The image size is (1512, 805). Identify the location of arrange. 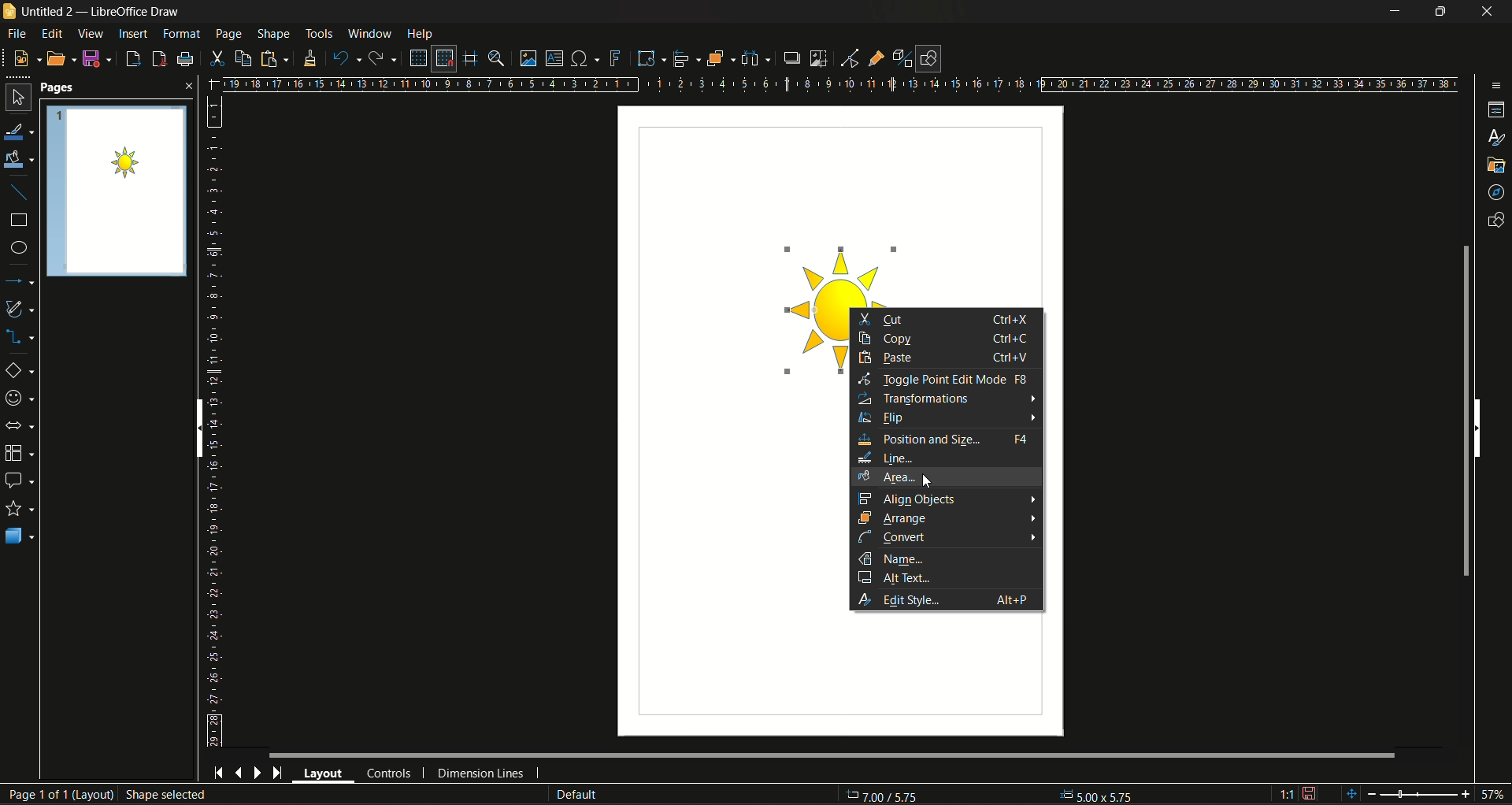
(901, 518).